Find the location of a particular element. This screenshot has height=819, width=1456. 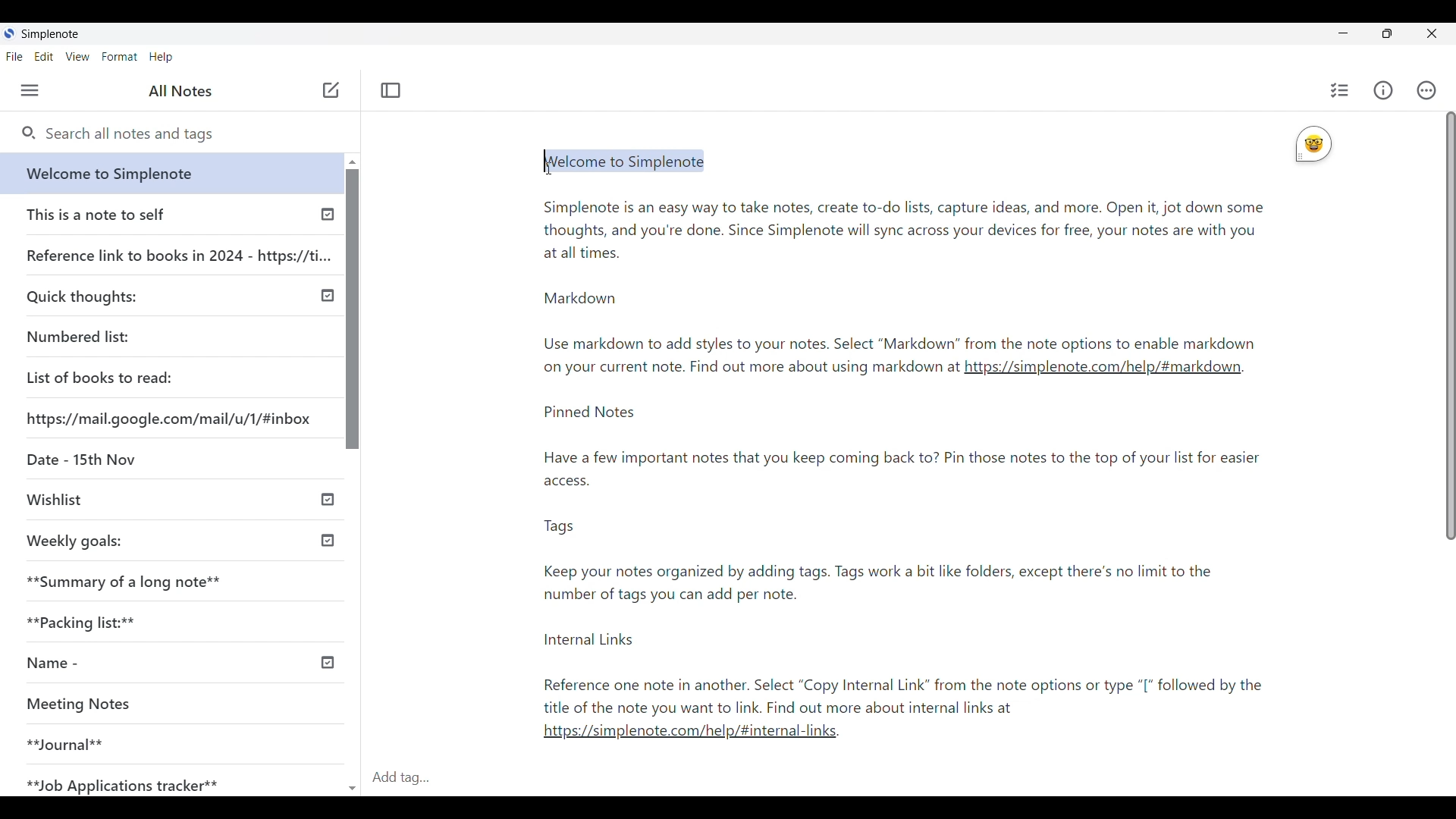

Help menu is located at coordinates (161, 57).